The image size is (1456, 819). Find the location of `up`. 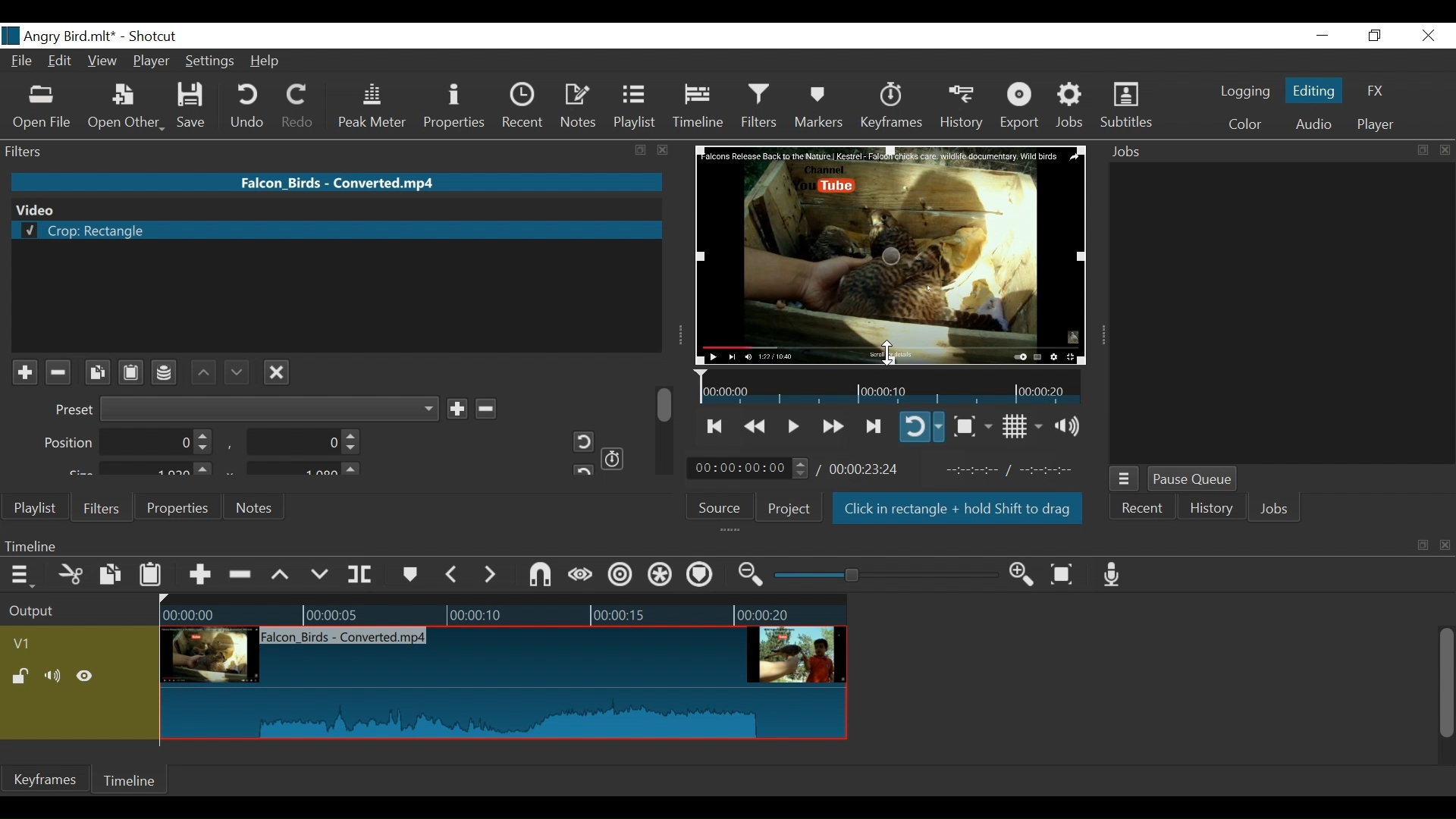

up is located at coordinates (204, 372).